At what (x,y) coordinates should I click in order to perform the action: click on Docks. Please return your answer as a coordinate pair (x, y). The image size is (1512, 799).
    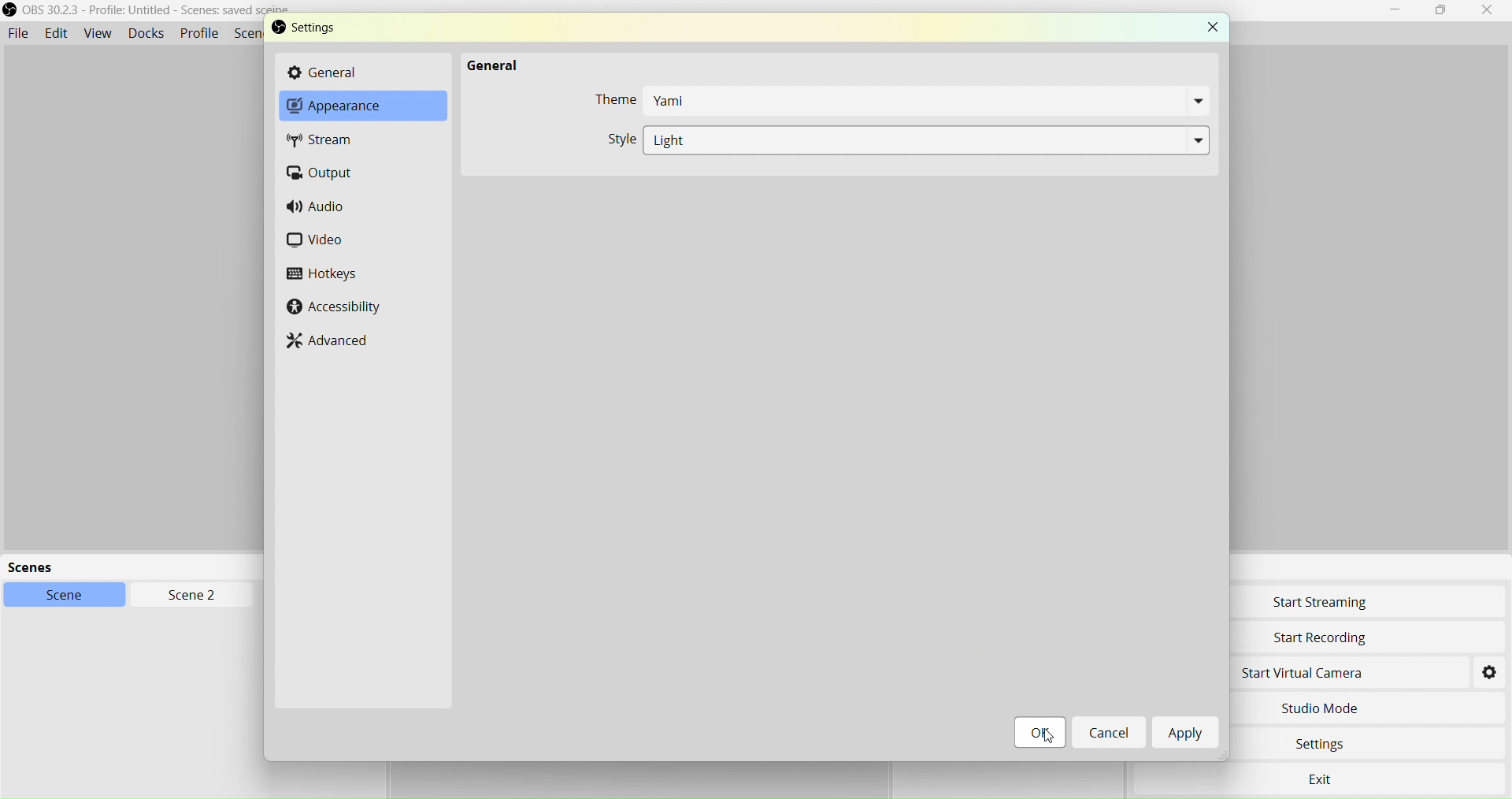
    Looking at the image, I should click on (144, 32).